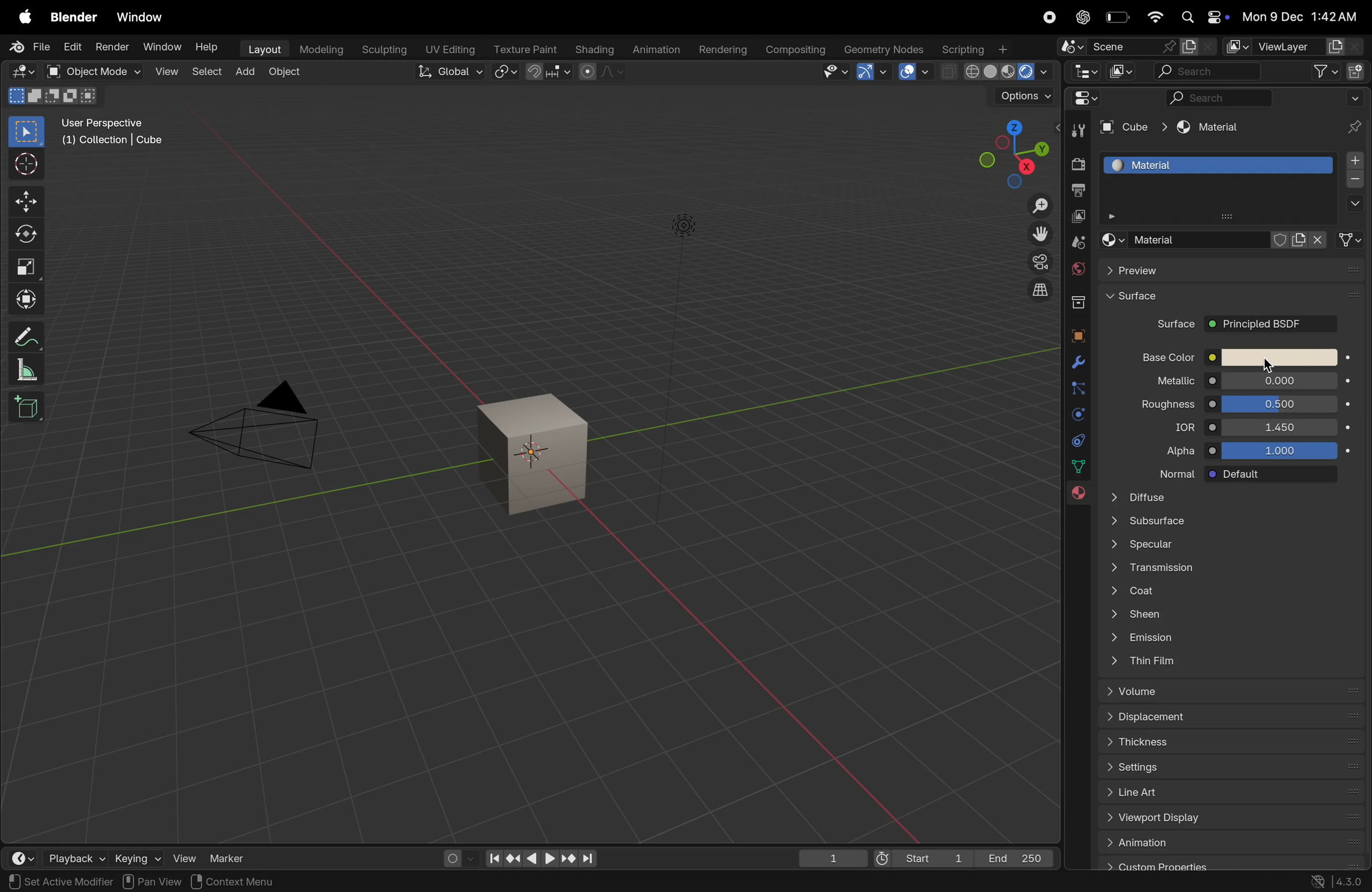 The image size is (1372, 892). What do you see at coordinates (1212, 97) in the screenshot?
I see `searcg` at bounding box center [1212, 97].